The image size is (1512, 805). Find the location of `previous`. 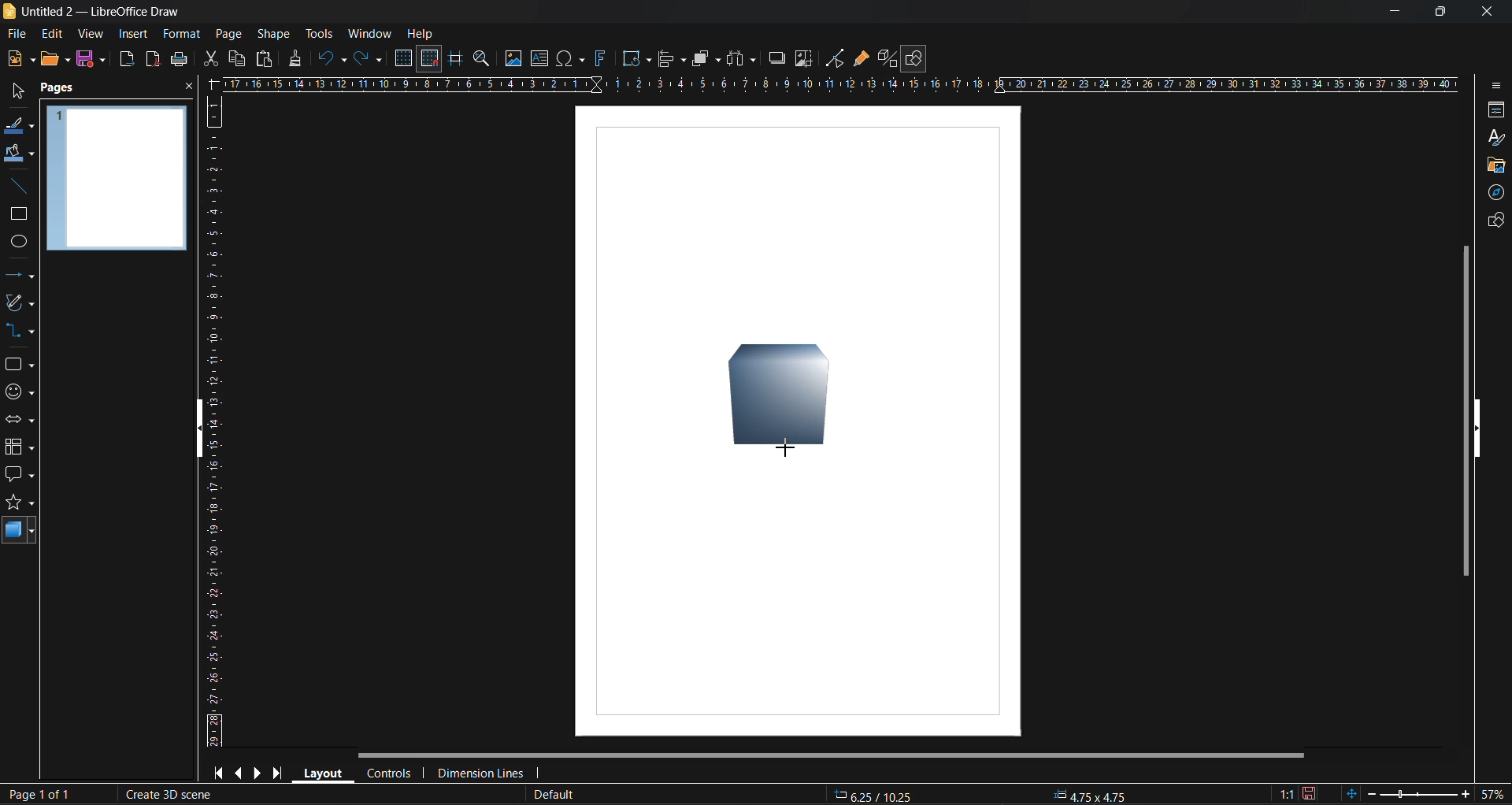

previous is located at coordinates (241, 772).